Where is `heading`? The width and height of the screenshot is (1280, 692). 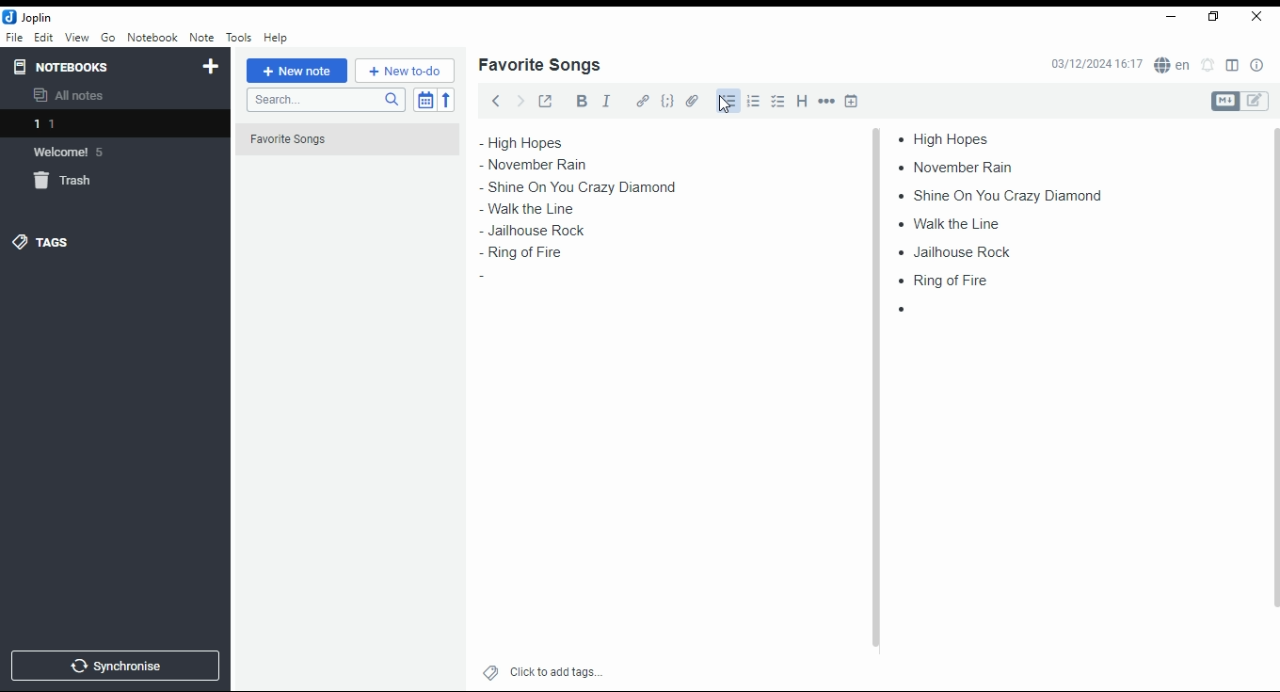
heading is located at coordinates (803, 99).